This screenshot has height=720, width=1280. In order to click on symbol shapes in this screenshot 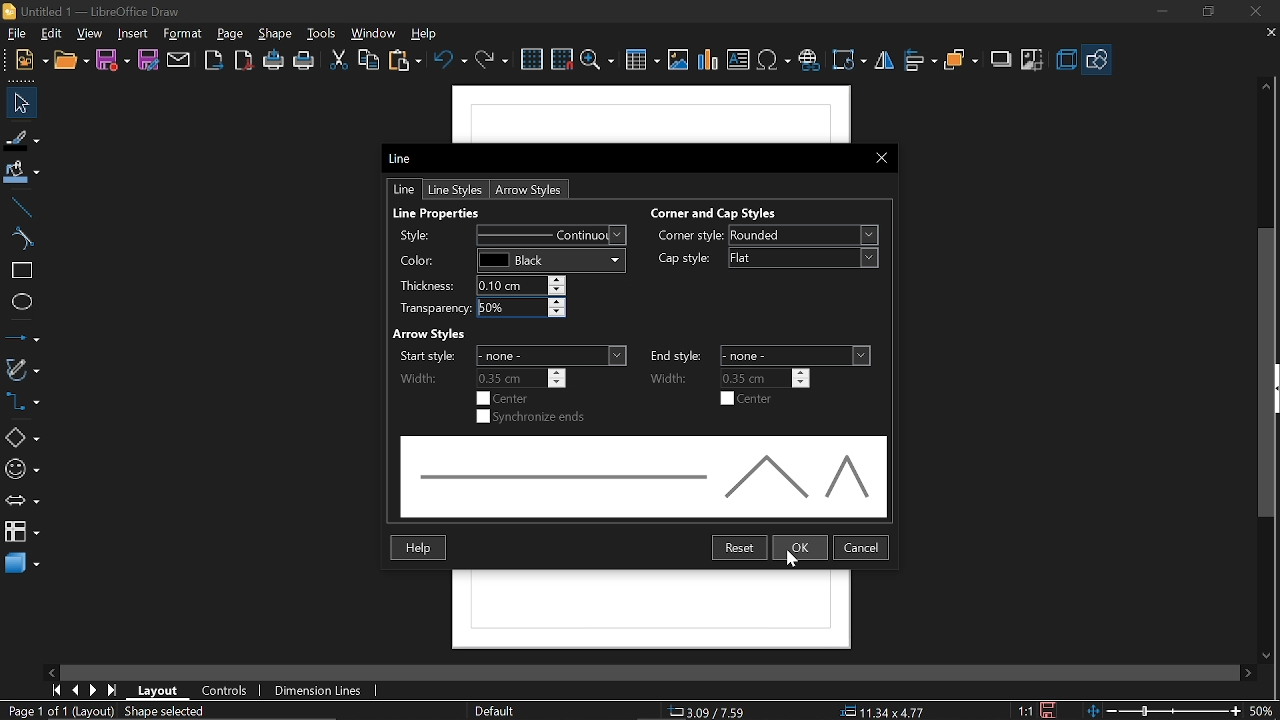, I will do `click(22, 472)`.